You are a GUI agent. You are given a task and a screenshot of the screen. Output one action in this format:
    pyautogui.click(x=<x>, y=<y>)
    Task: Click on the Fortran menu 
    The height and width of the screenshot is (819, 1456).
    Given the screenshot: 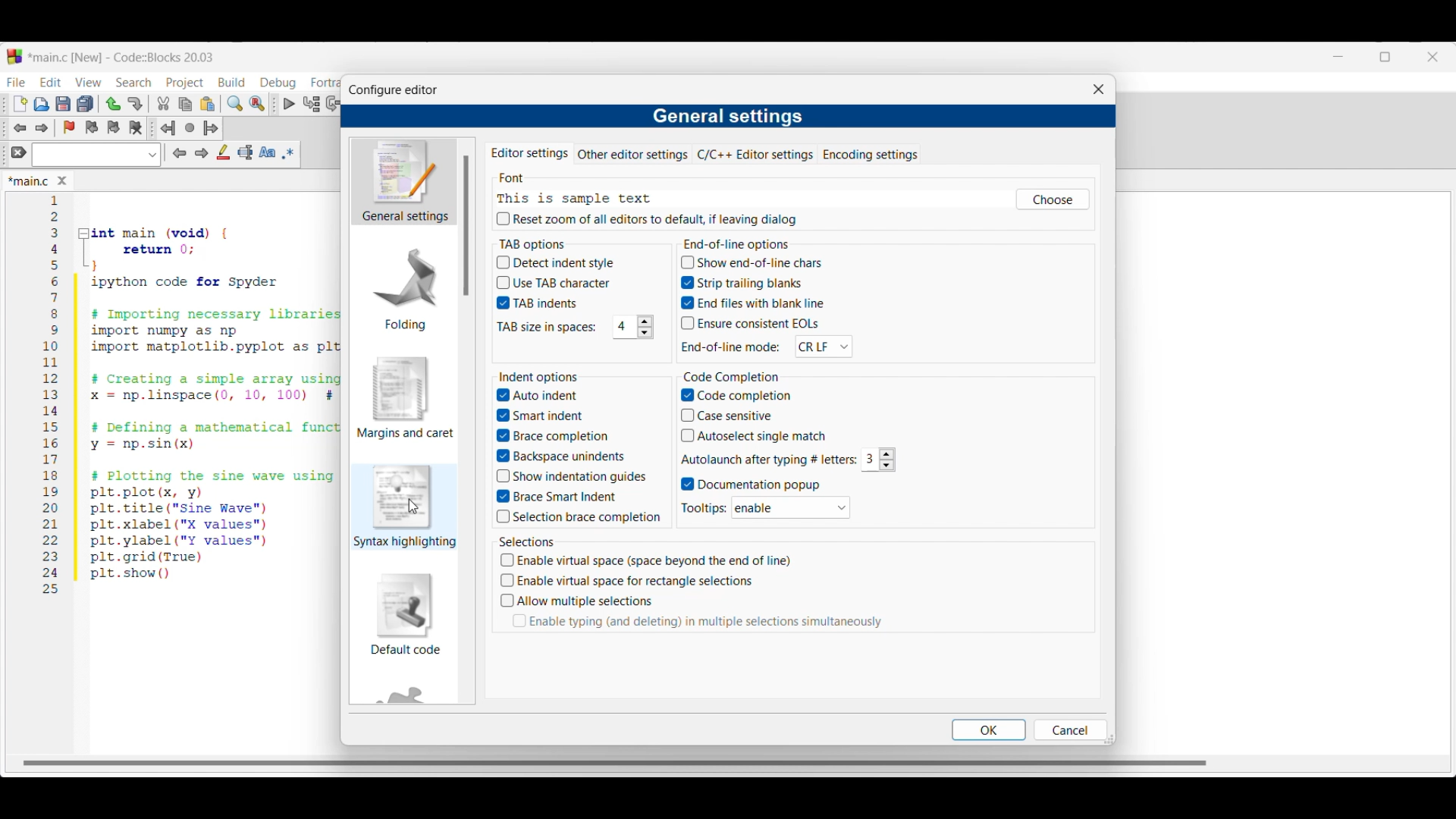 What is the action you would take?
    pyautogui.click(x=325, y=83)
    